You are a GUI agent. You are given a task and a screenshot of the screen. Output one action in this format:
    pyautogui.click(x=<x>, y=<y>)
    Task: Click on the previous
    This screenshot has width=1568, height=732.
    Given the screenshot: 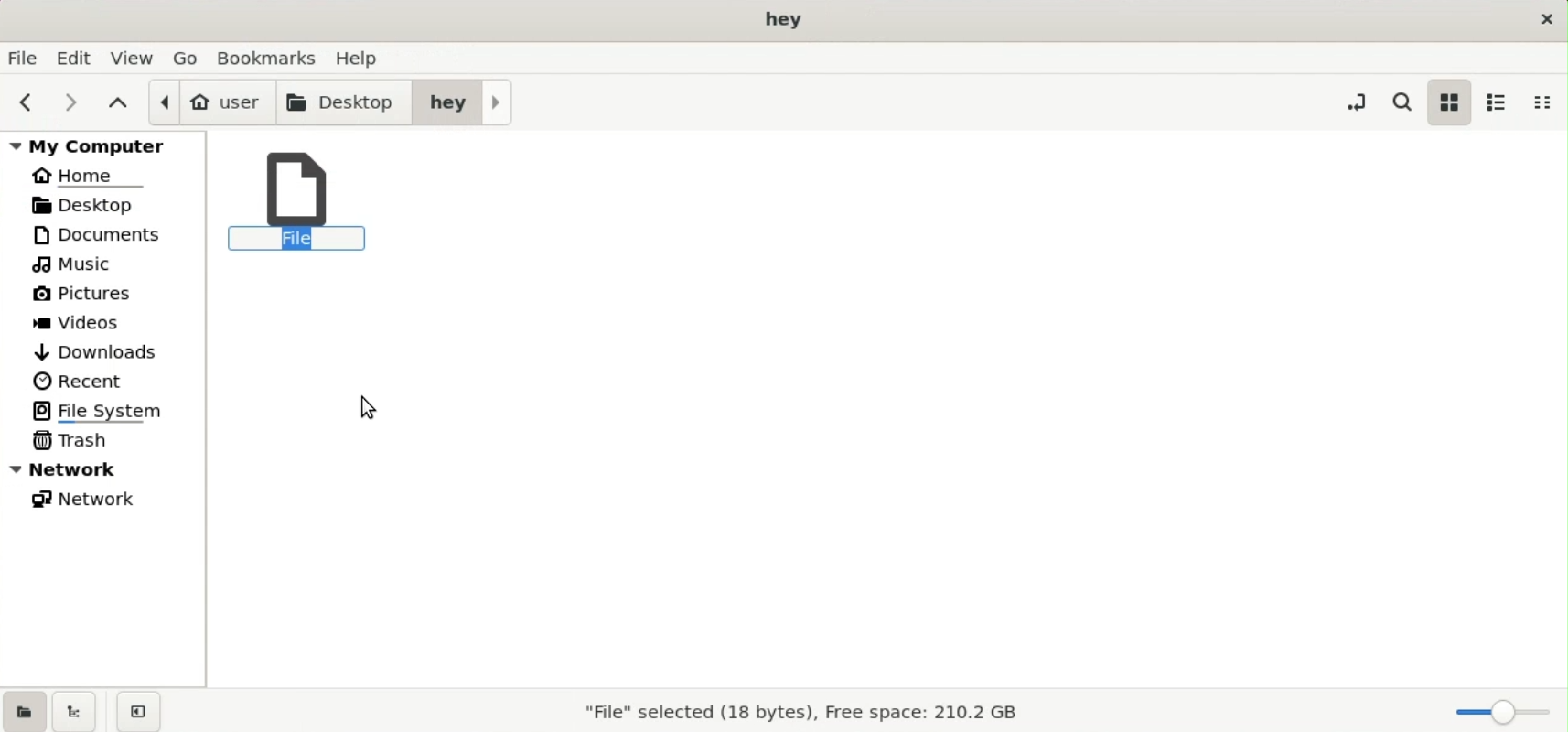 What is the action you would take?
    pyautogui.click(x=23, y=102)
    